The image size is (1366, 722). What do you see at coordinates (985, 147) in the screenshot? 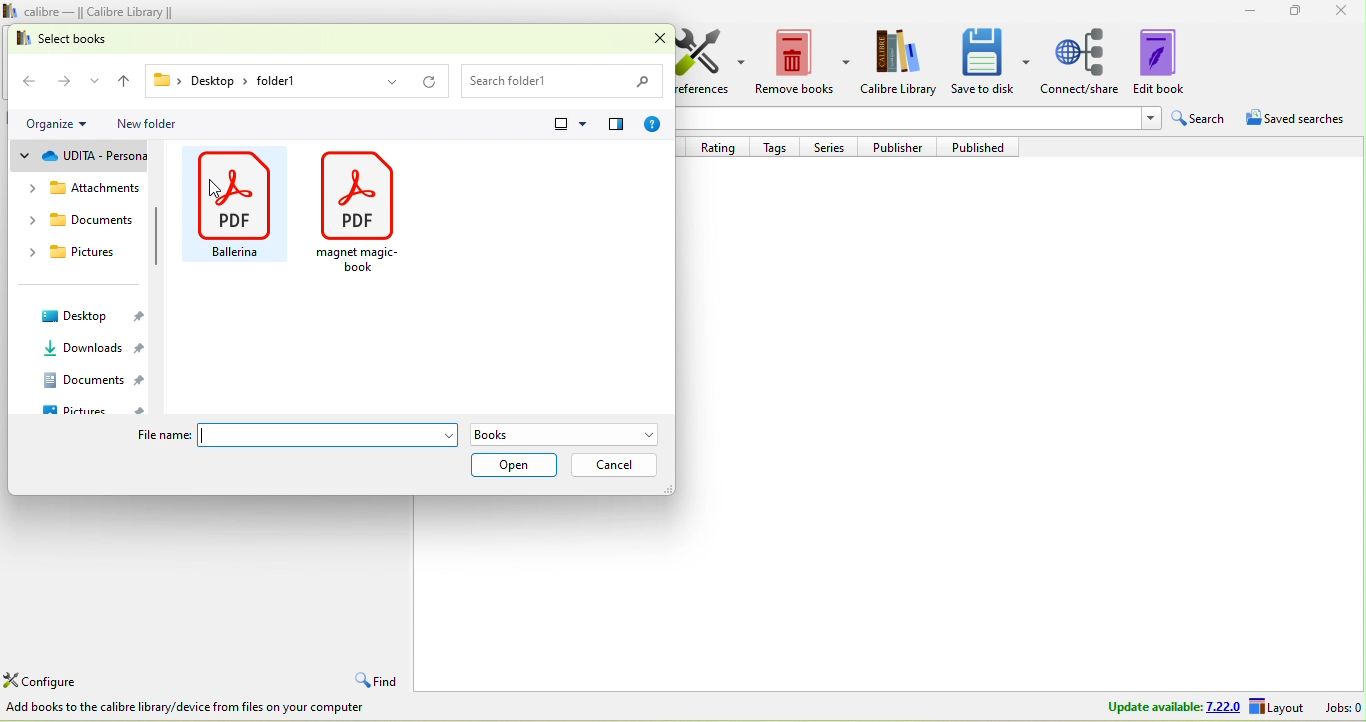
I see `published` at bounding box center [985, 147].